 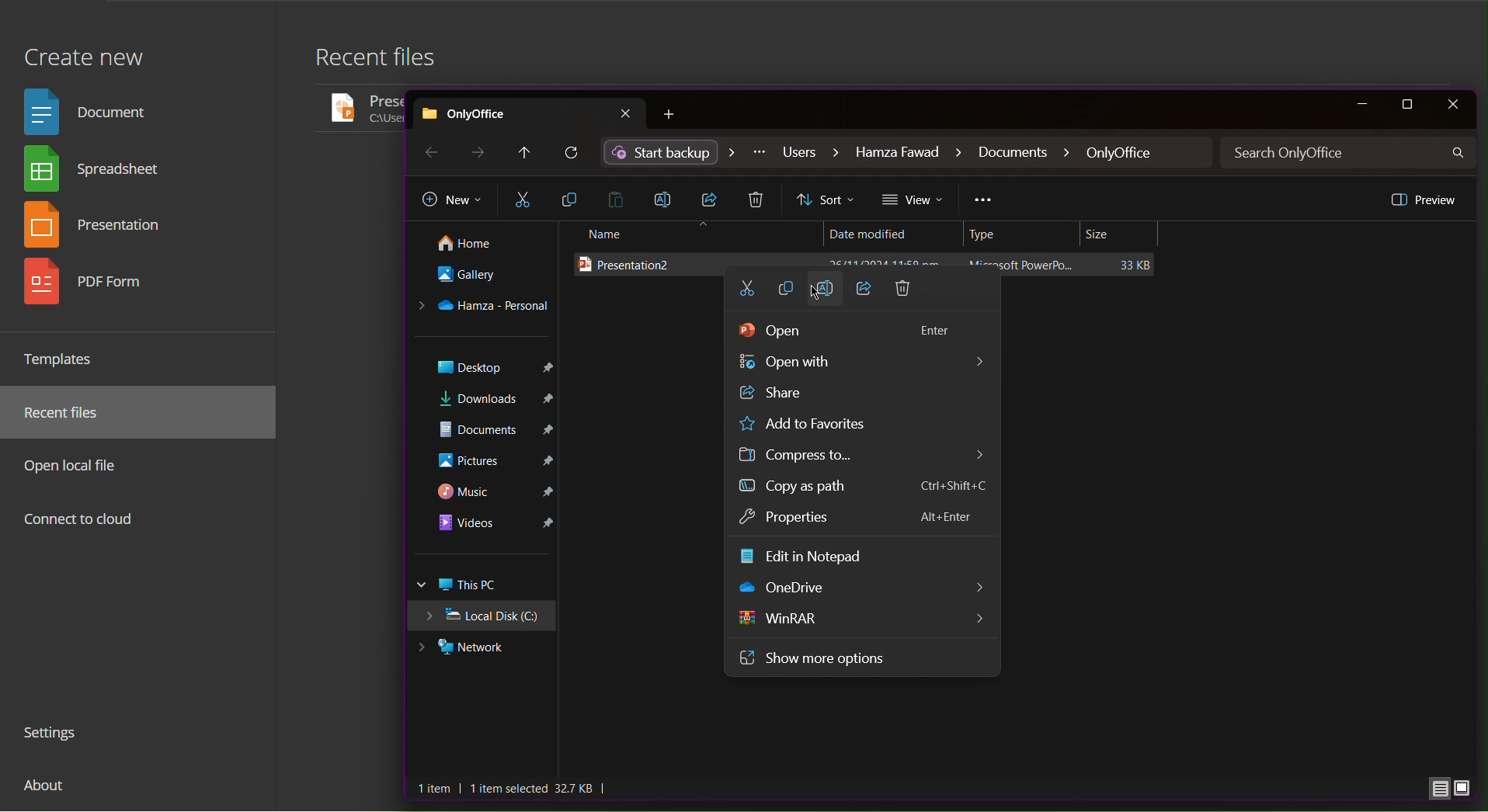 I want to click on Share, so click(x=838, y=394).